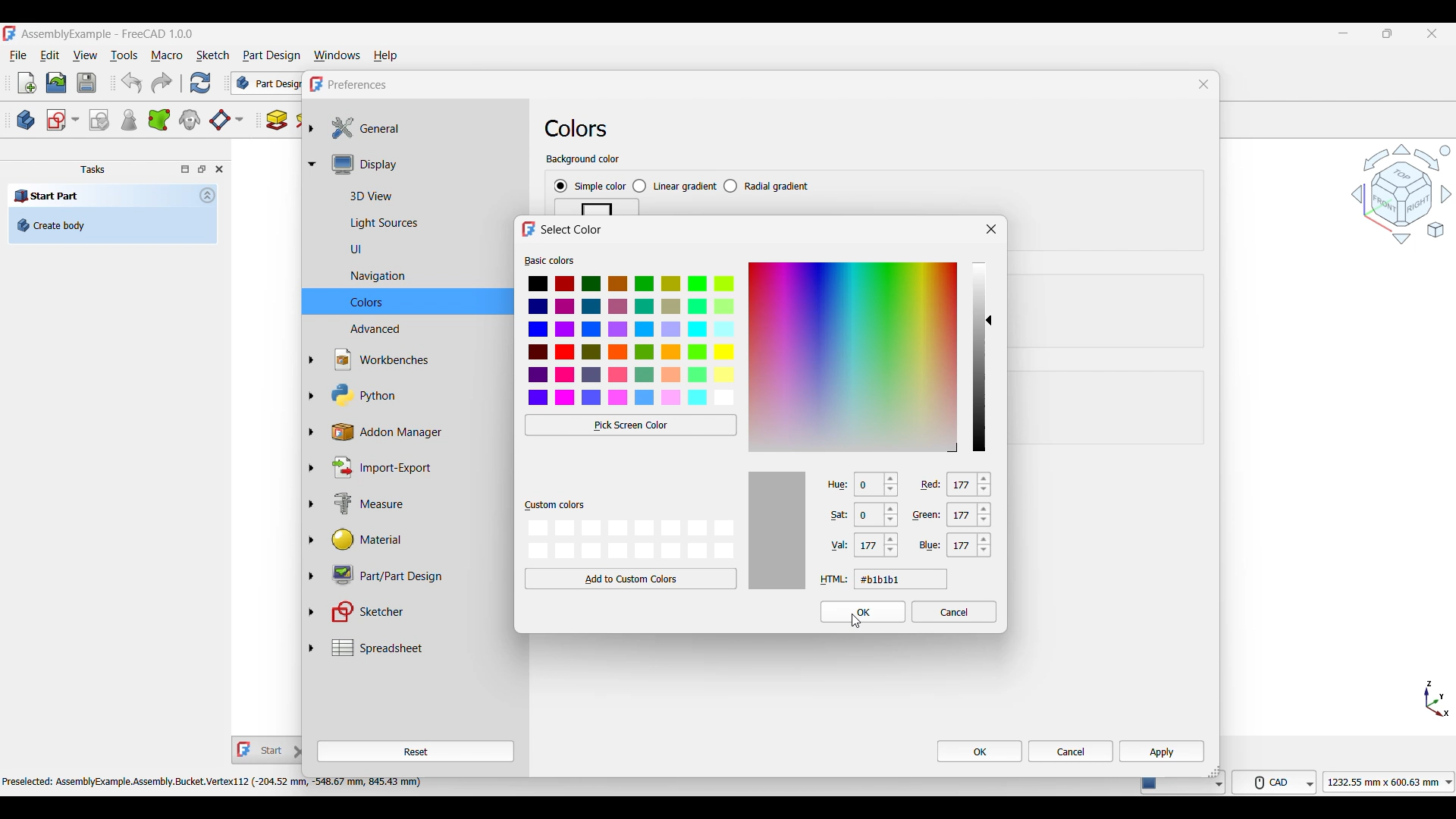 The image size is (1456, 819). Describe the element at coordinates (864, 612) in the screenshot. I see `OK` at that location.